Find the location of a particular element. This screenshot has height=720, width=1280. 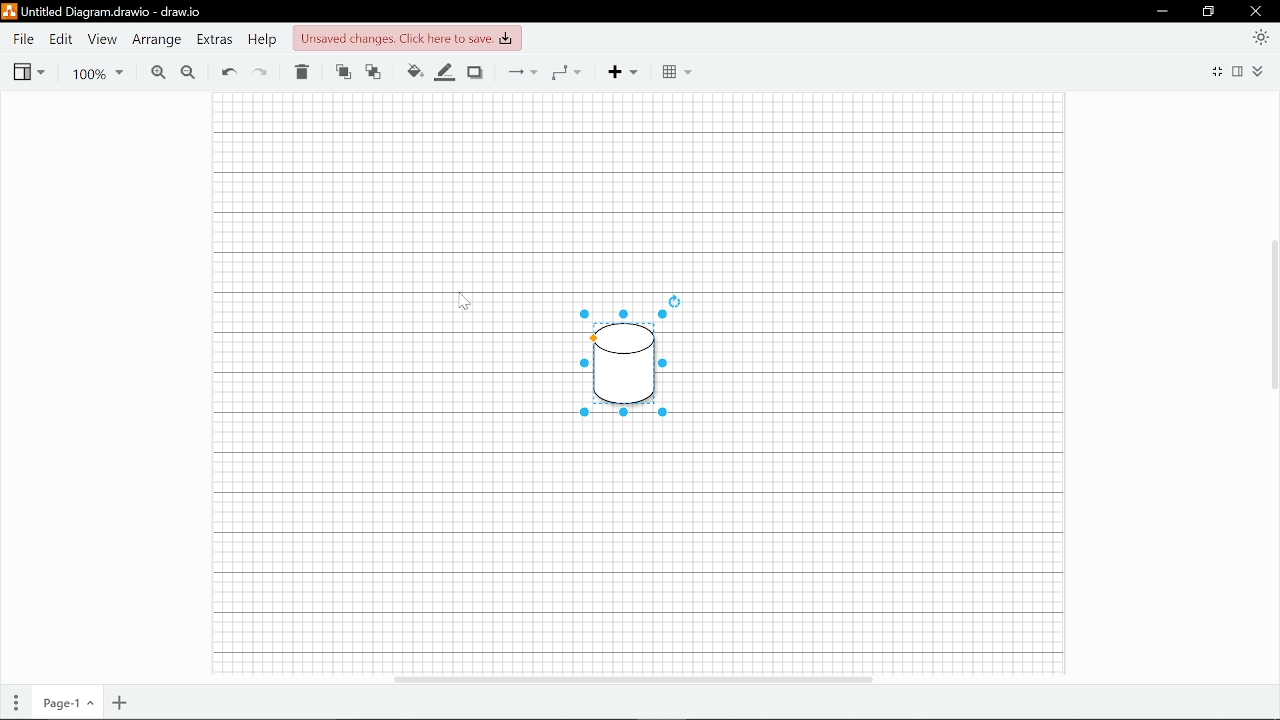

Table is located at coordinates (677, 72).